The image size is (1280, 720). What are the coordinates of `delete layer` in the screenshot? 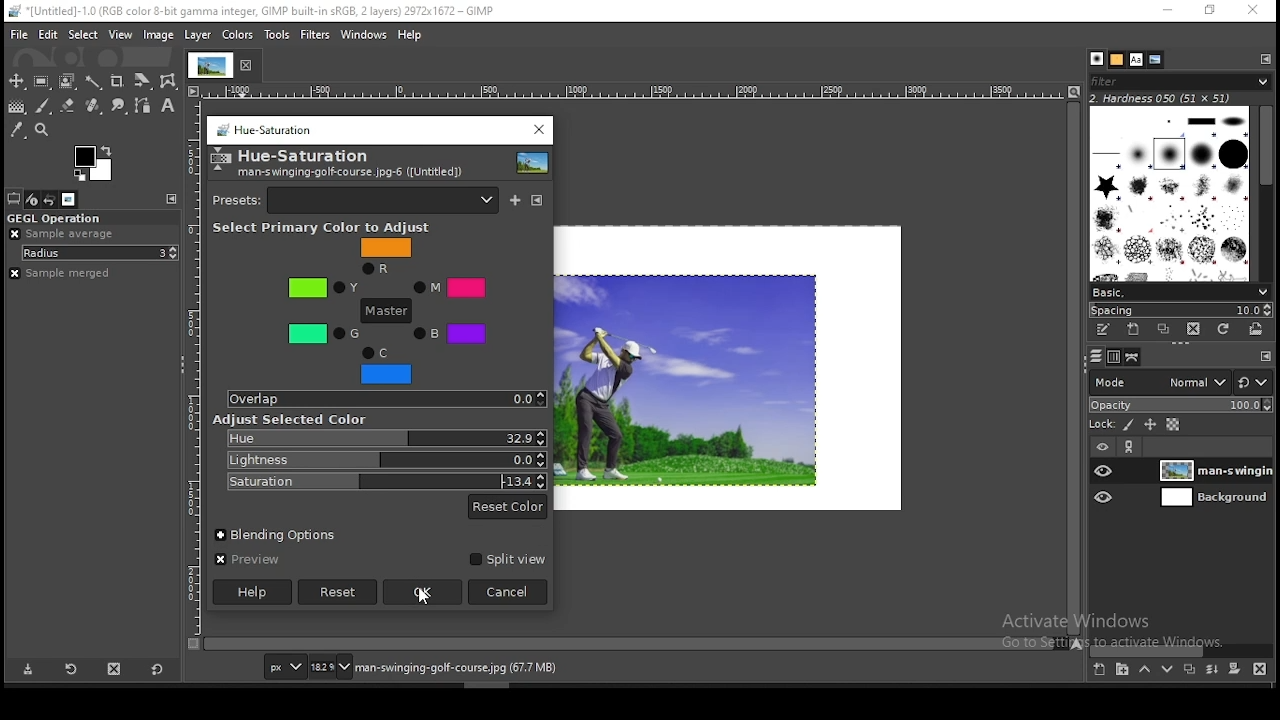 It's located at (1260, 670).